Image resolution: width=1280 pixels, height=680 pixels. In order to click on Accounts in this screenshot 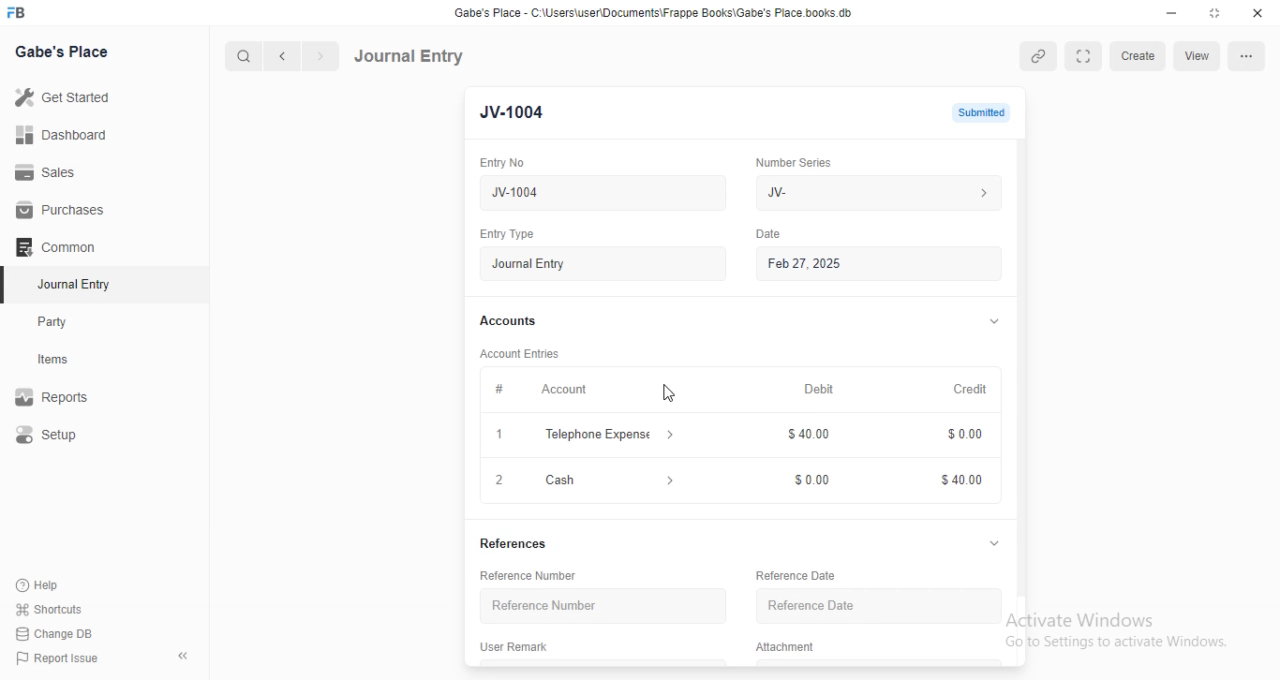, I will do `click(507, 321)`.